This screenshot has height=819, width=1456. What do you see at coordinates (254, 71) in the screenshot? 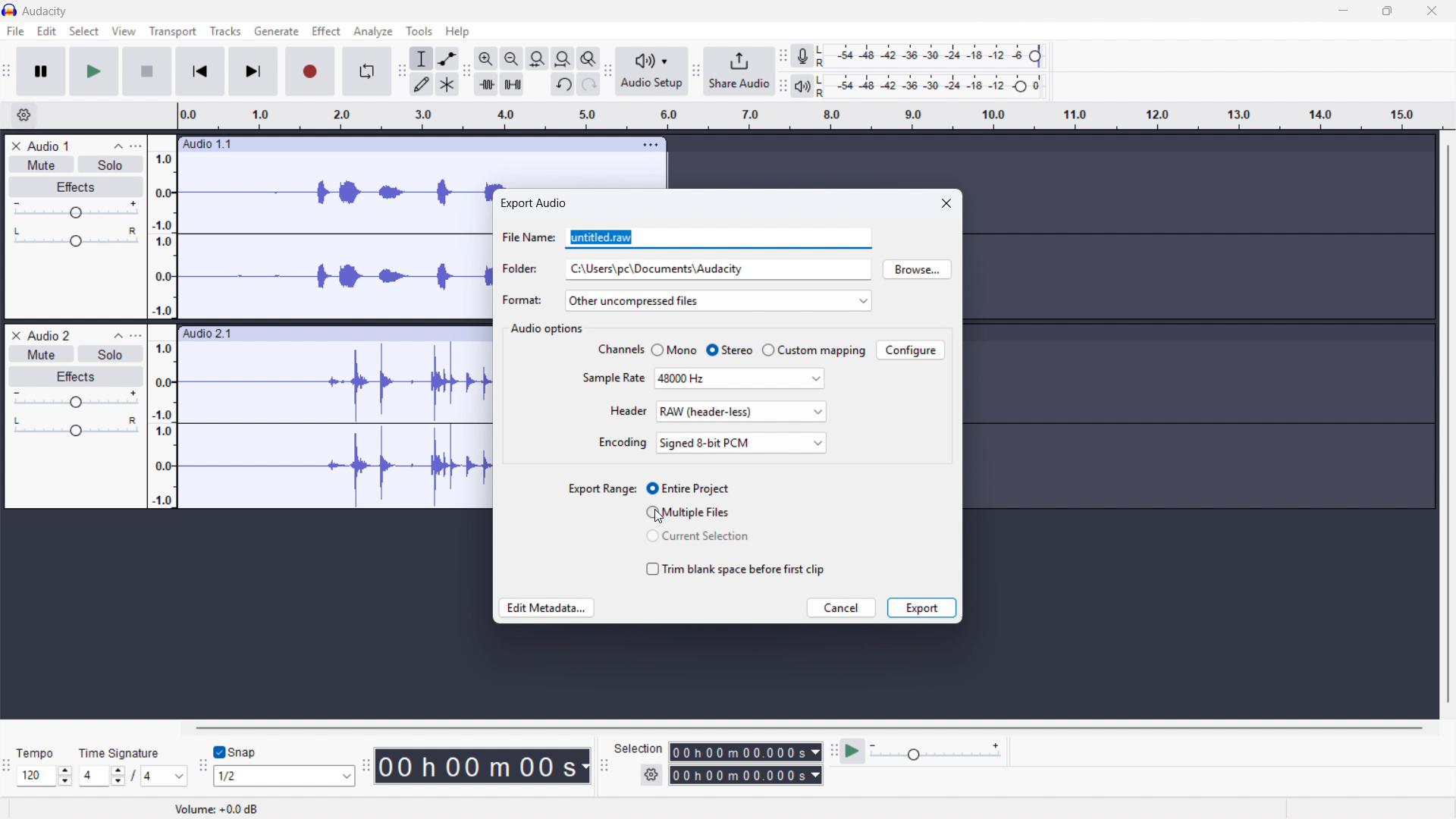
I see `Skip to last ` at bounding box center [254, 71].